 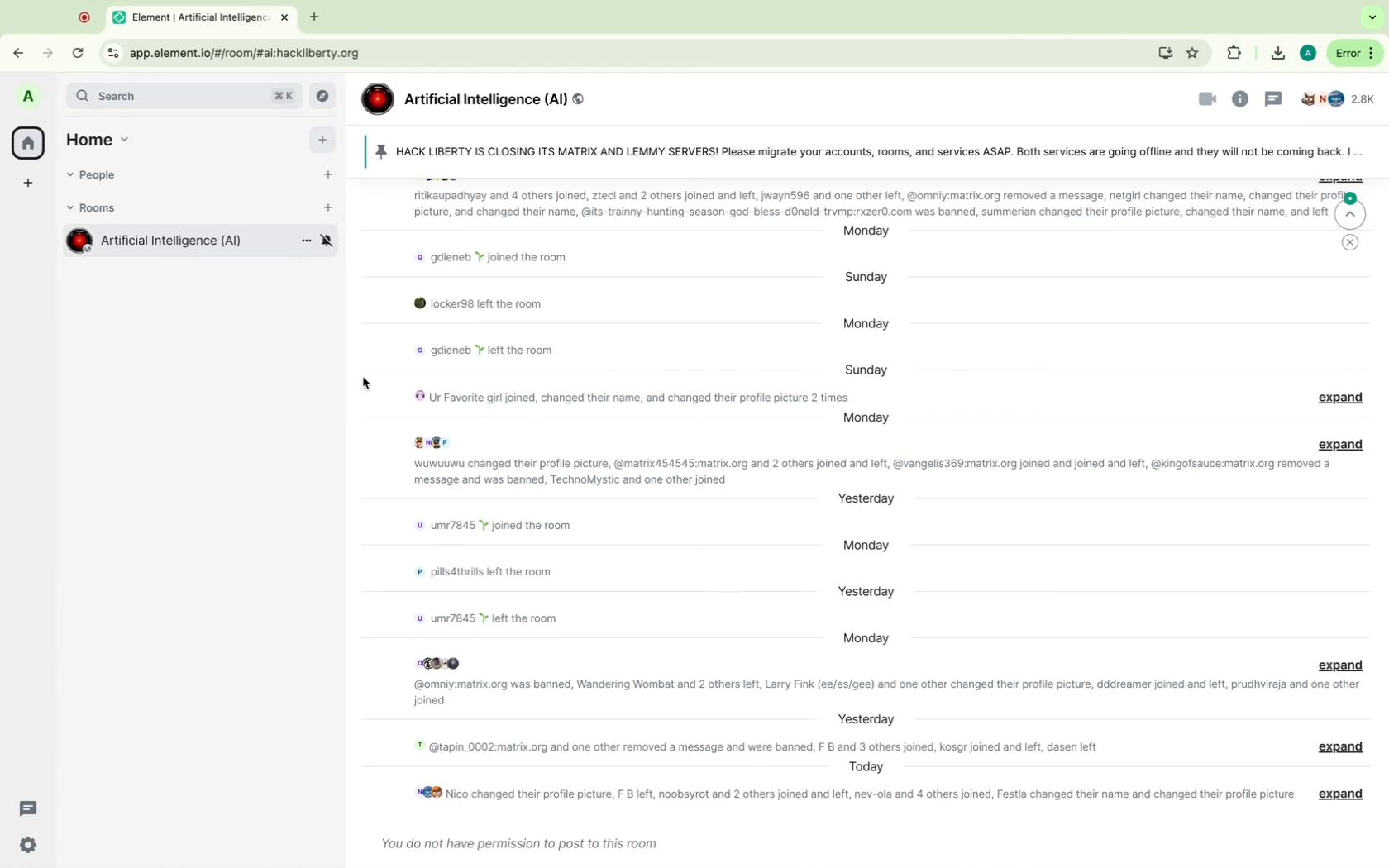 I want to click on message, so click(x=867, y=472).